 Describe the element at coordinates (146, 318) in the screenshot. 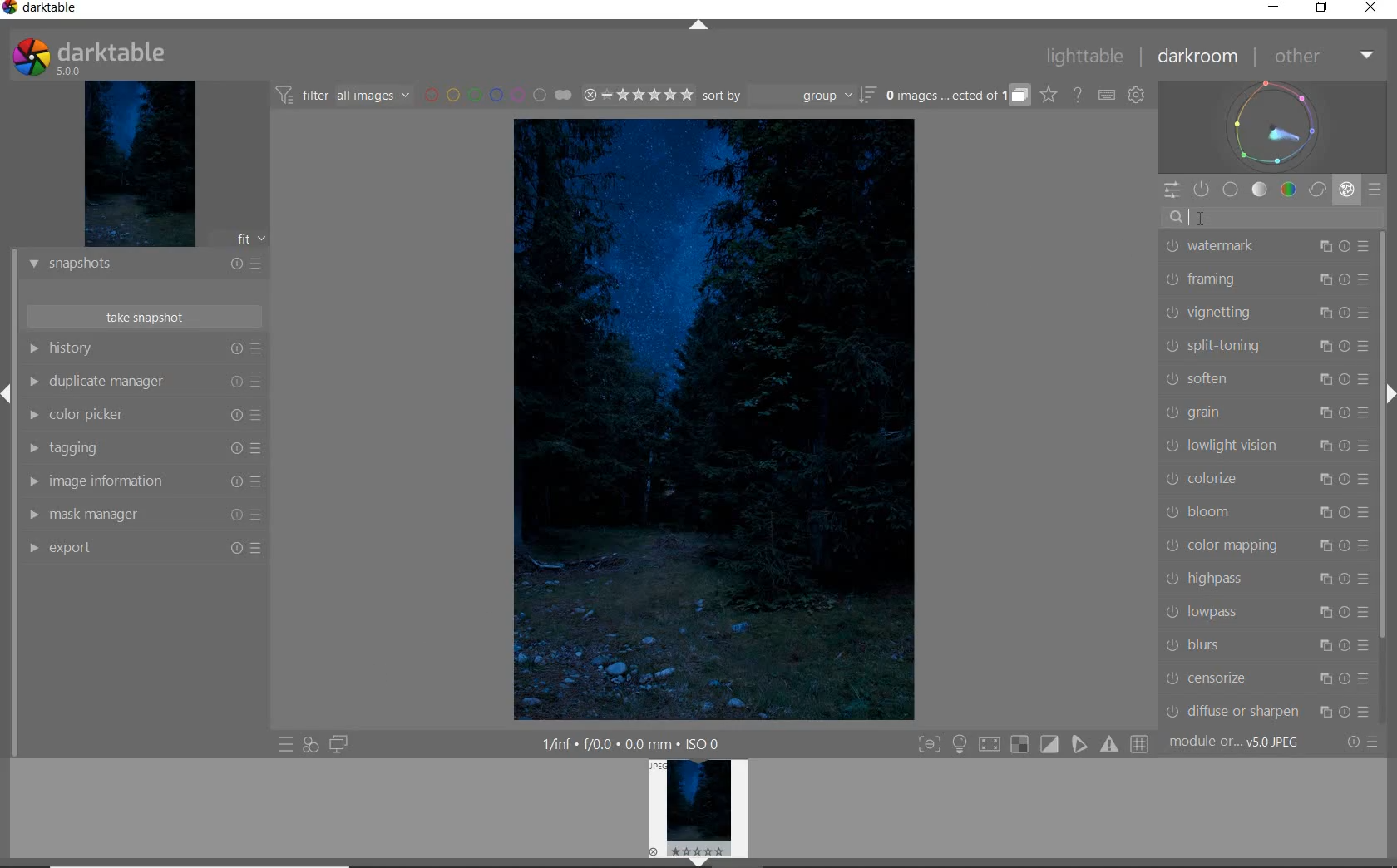

I see `TAKE SNAPSHOT` at that location.